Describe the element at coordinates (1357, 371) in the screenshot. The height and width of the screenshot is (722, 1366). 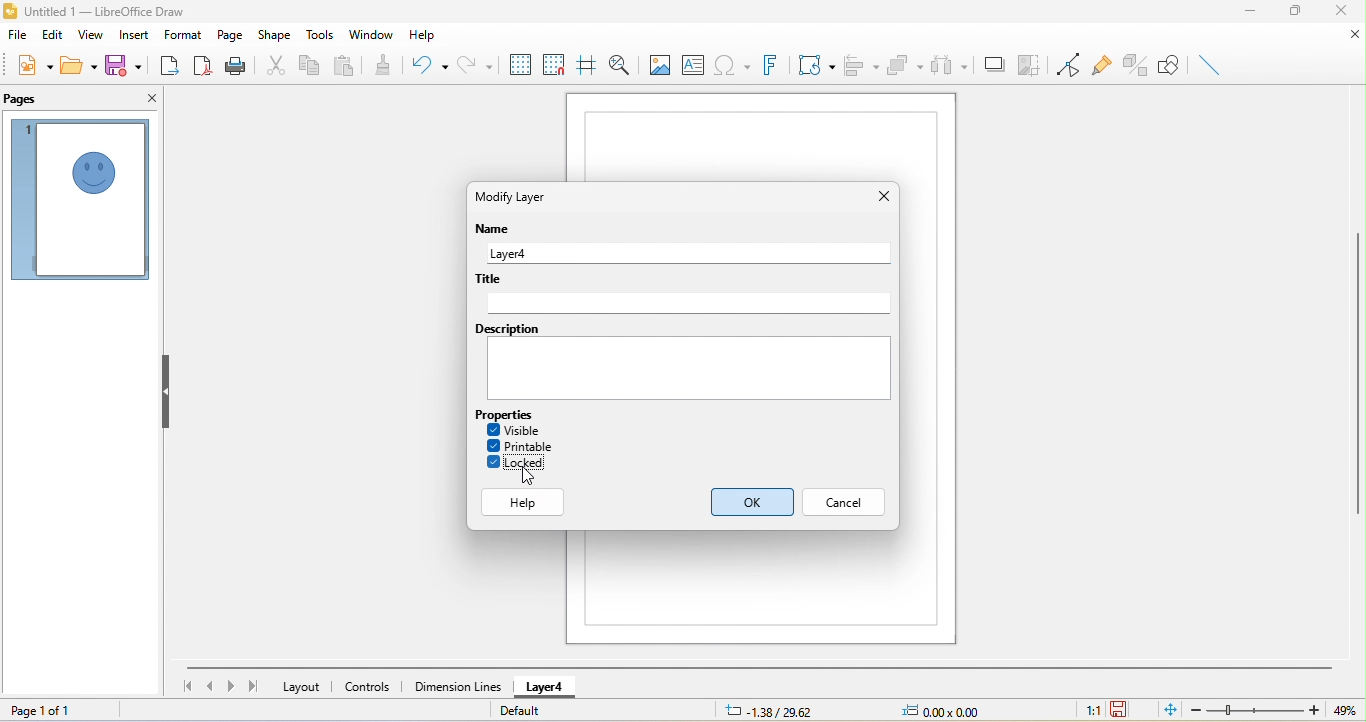
I see ` vertical scroll bar` at that location.